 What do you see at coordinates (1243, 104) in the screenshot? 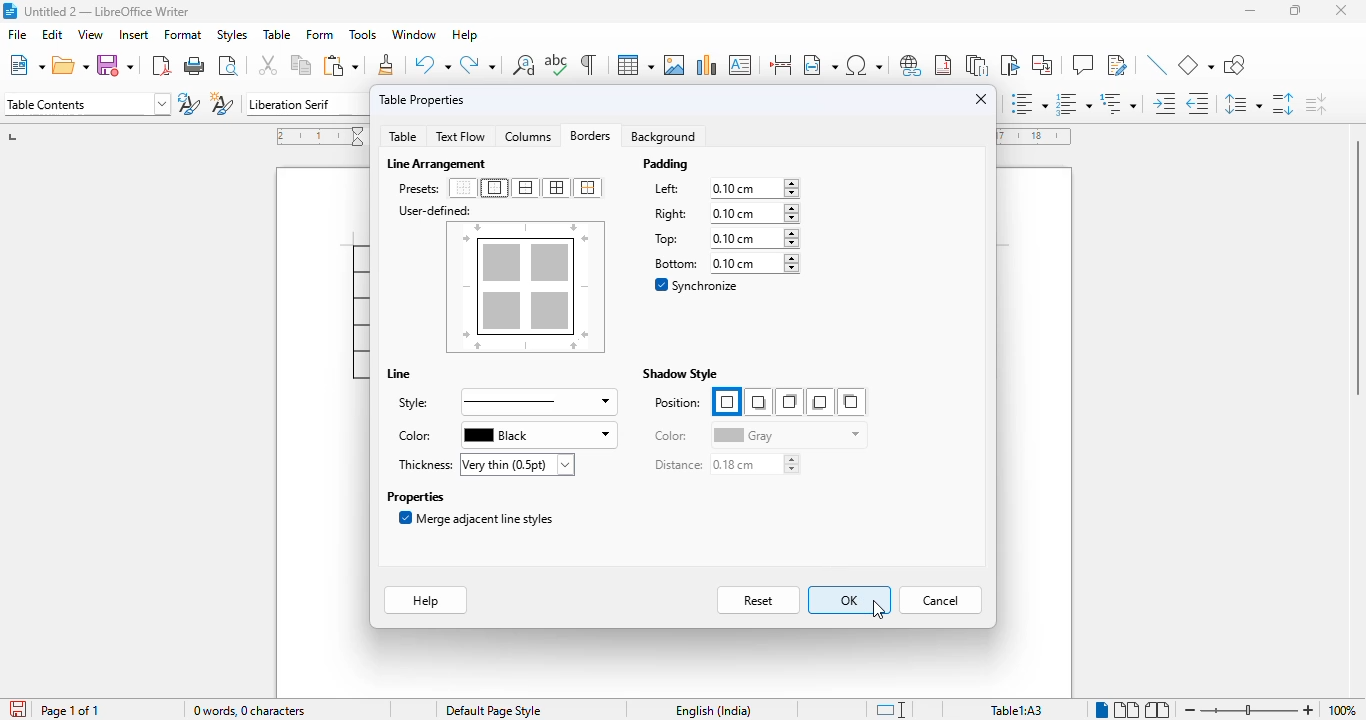
I see `set line spacing` at bounding box center [1243, 104].